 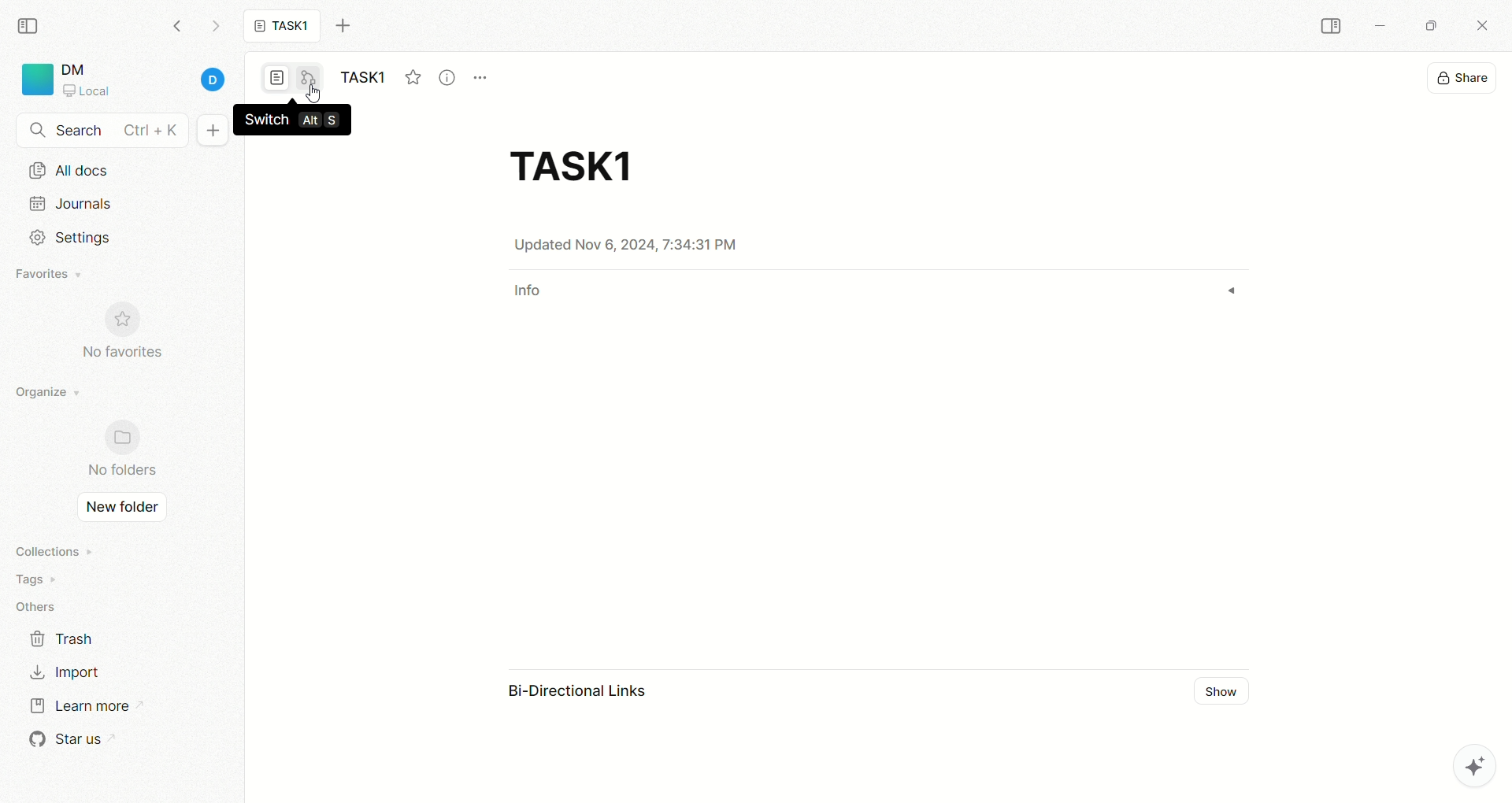 I want to click on COLLAPSE SIDEBAR, so click(x=1332, y=27).